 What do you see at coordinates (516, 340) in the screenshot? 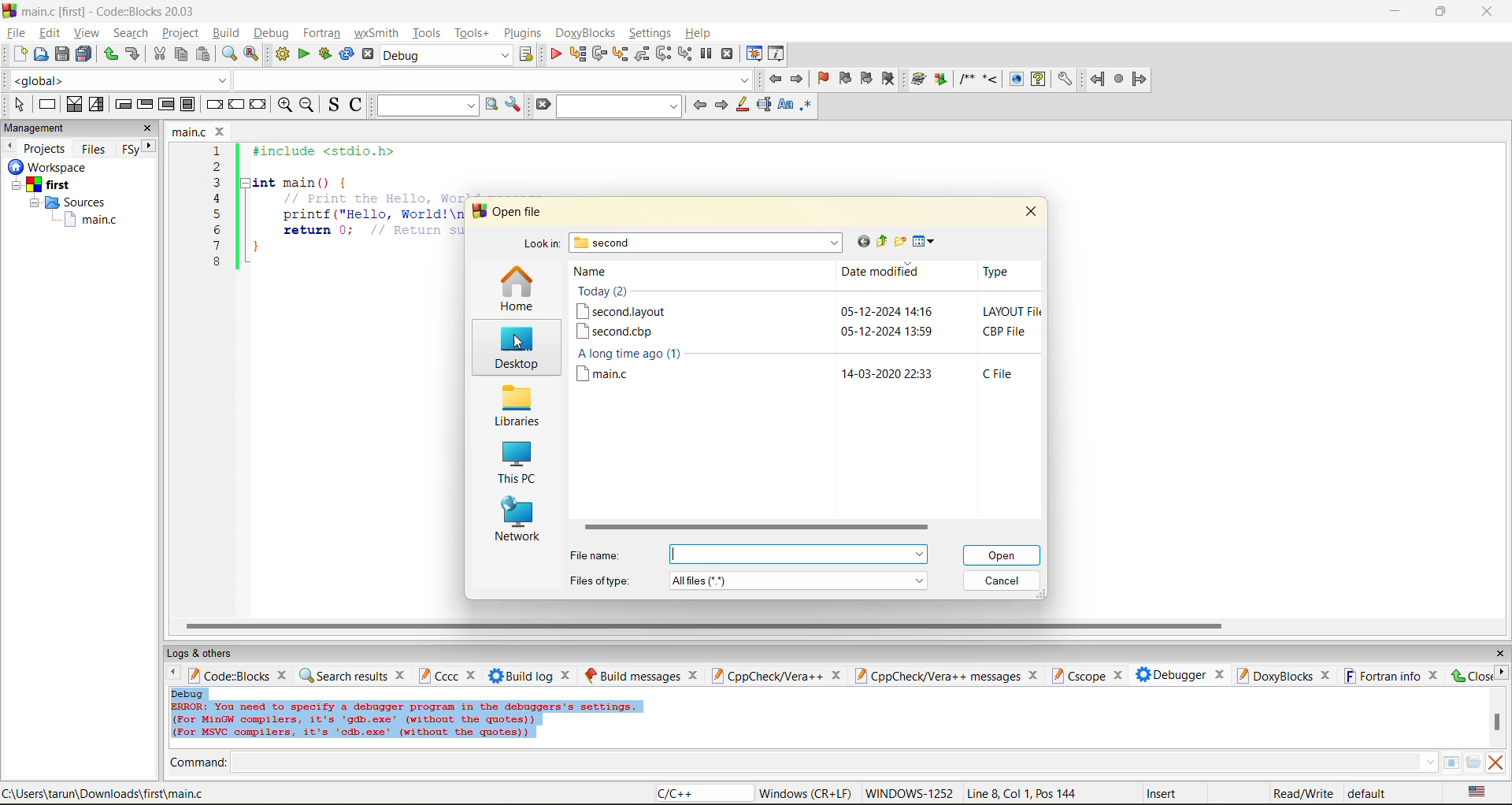
I see `cursor` at bounding box center [516, 340].